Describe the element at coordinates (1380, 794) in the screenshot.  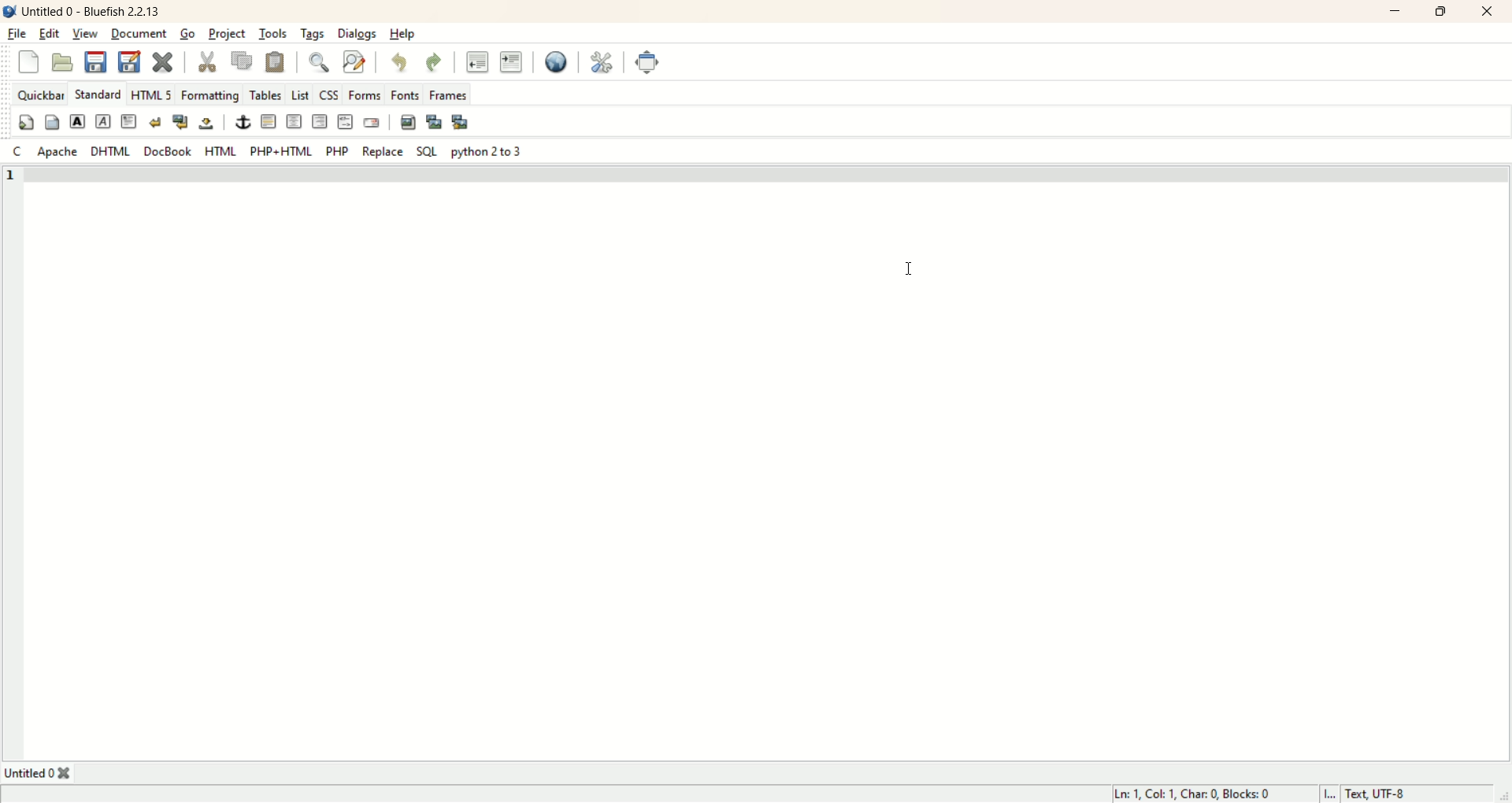
I see `text UTF-8` at that location.